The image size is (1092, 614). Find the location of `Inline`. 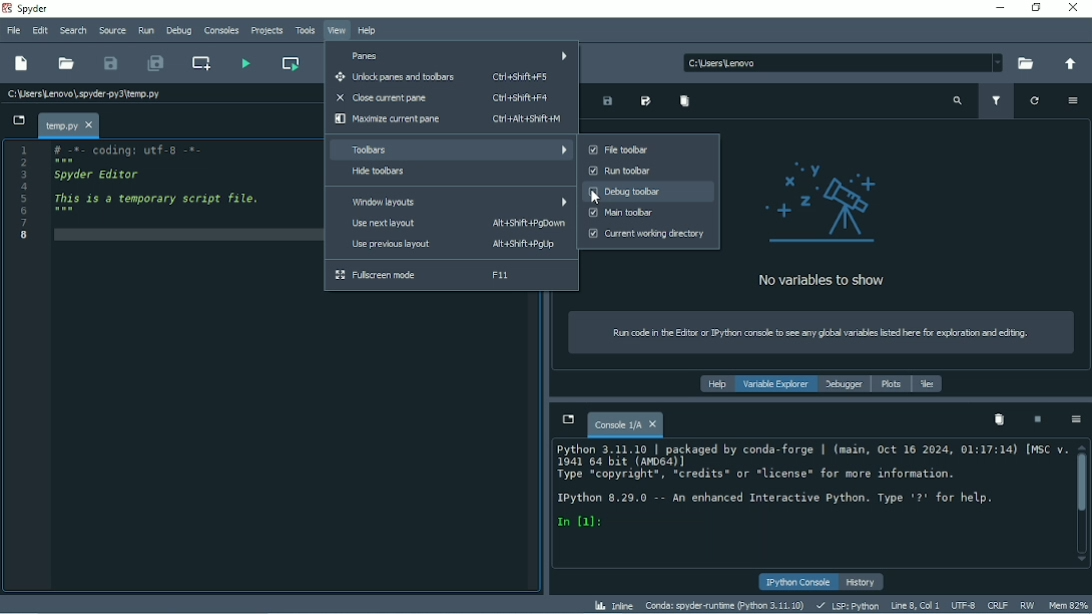

Inline is located at coordinates (614, 605).